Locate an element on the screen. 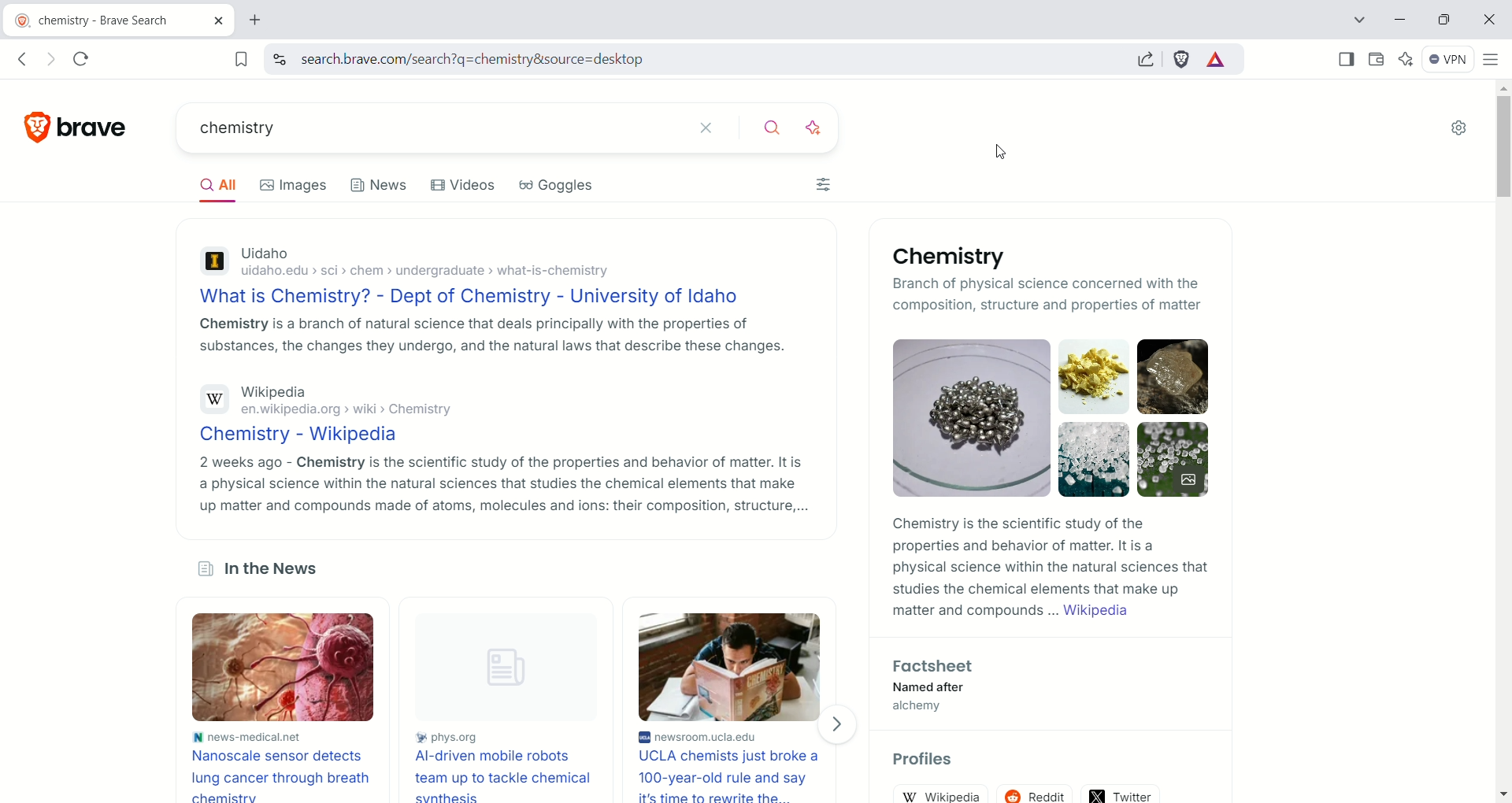 This screenshot has height=803, width=1512. bookmark is located at coordinates (237, 58).